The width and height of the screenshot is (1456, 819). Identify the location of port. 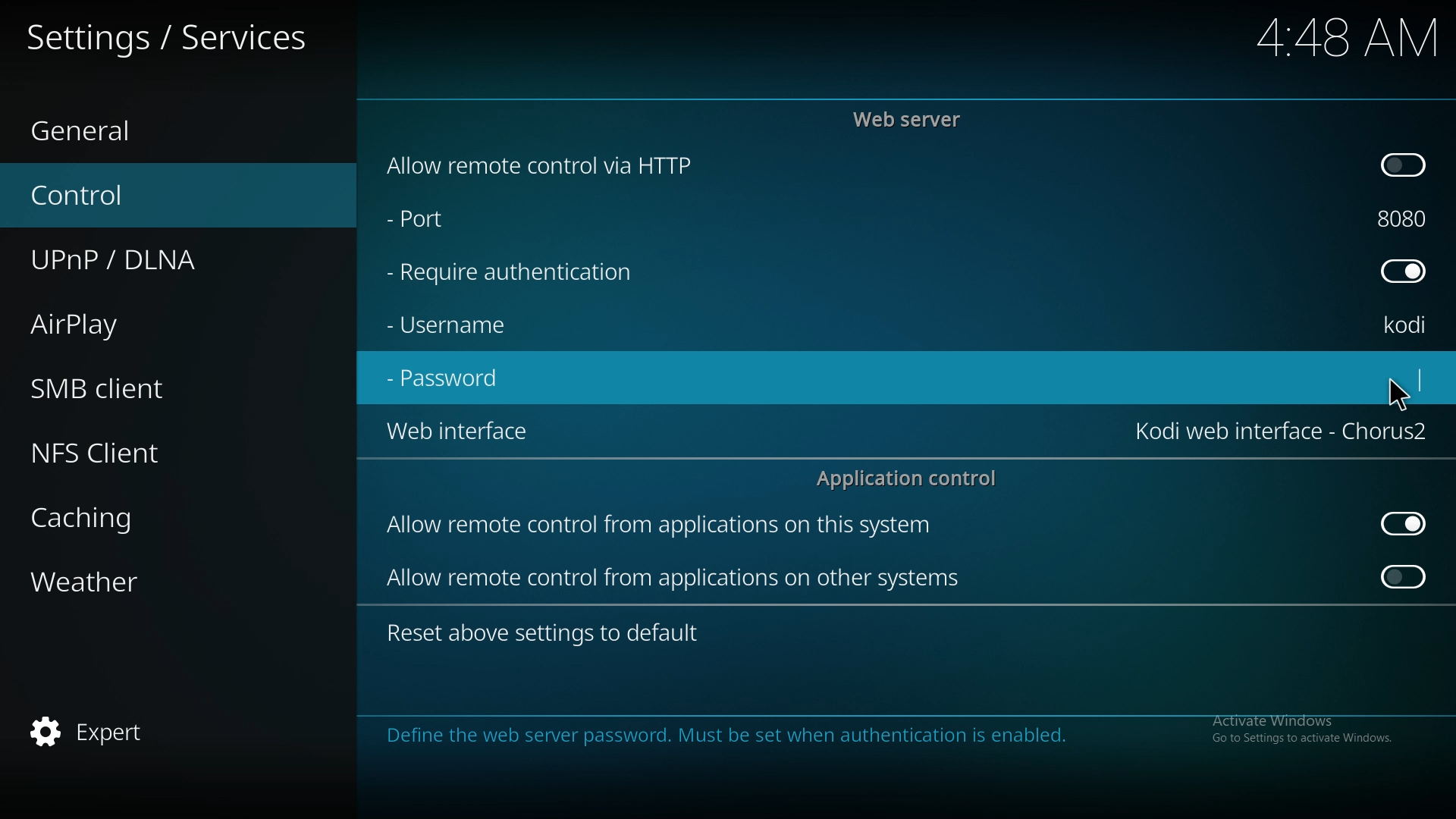
(452, 222).